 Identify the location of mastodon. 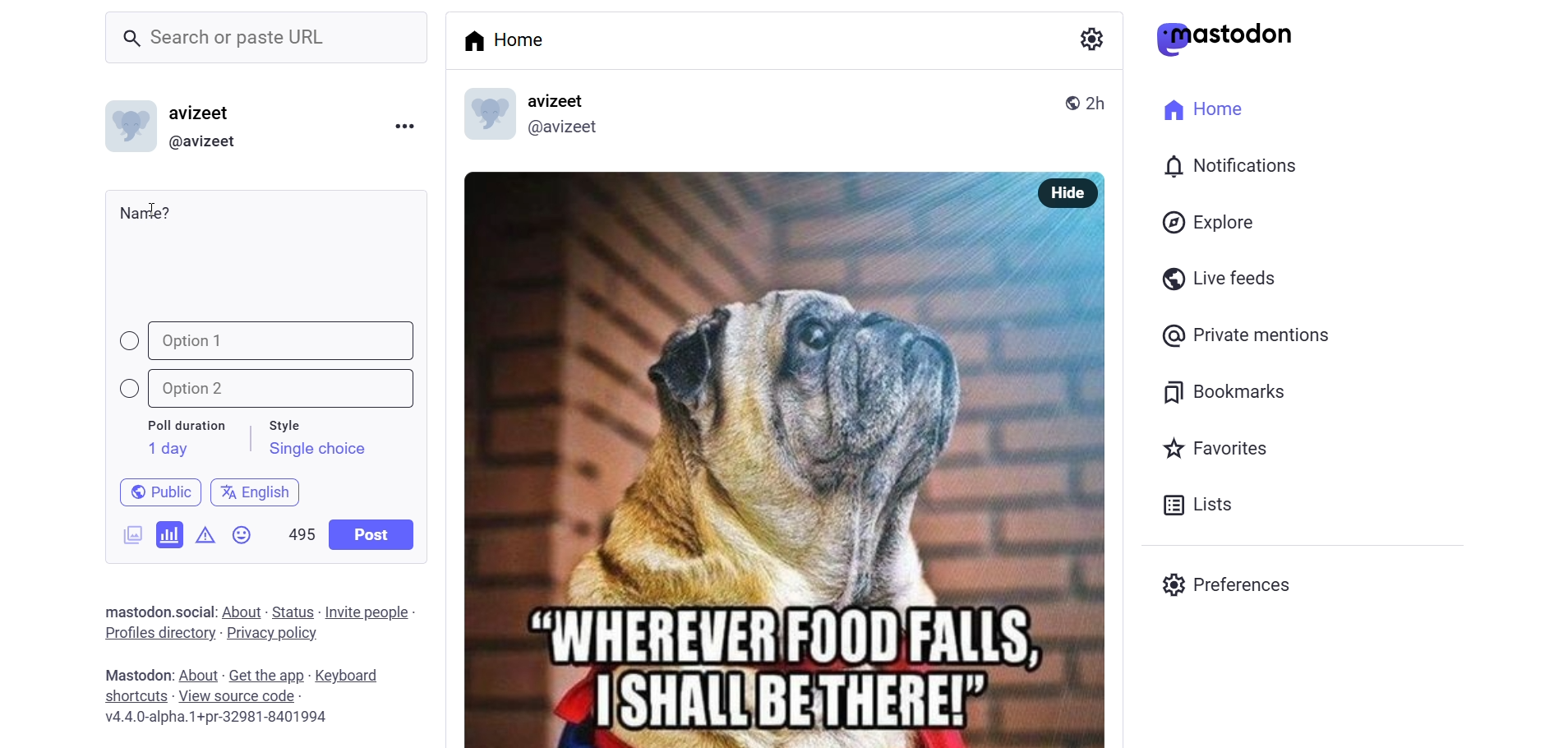
(134, 674).